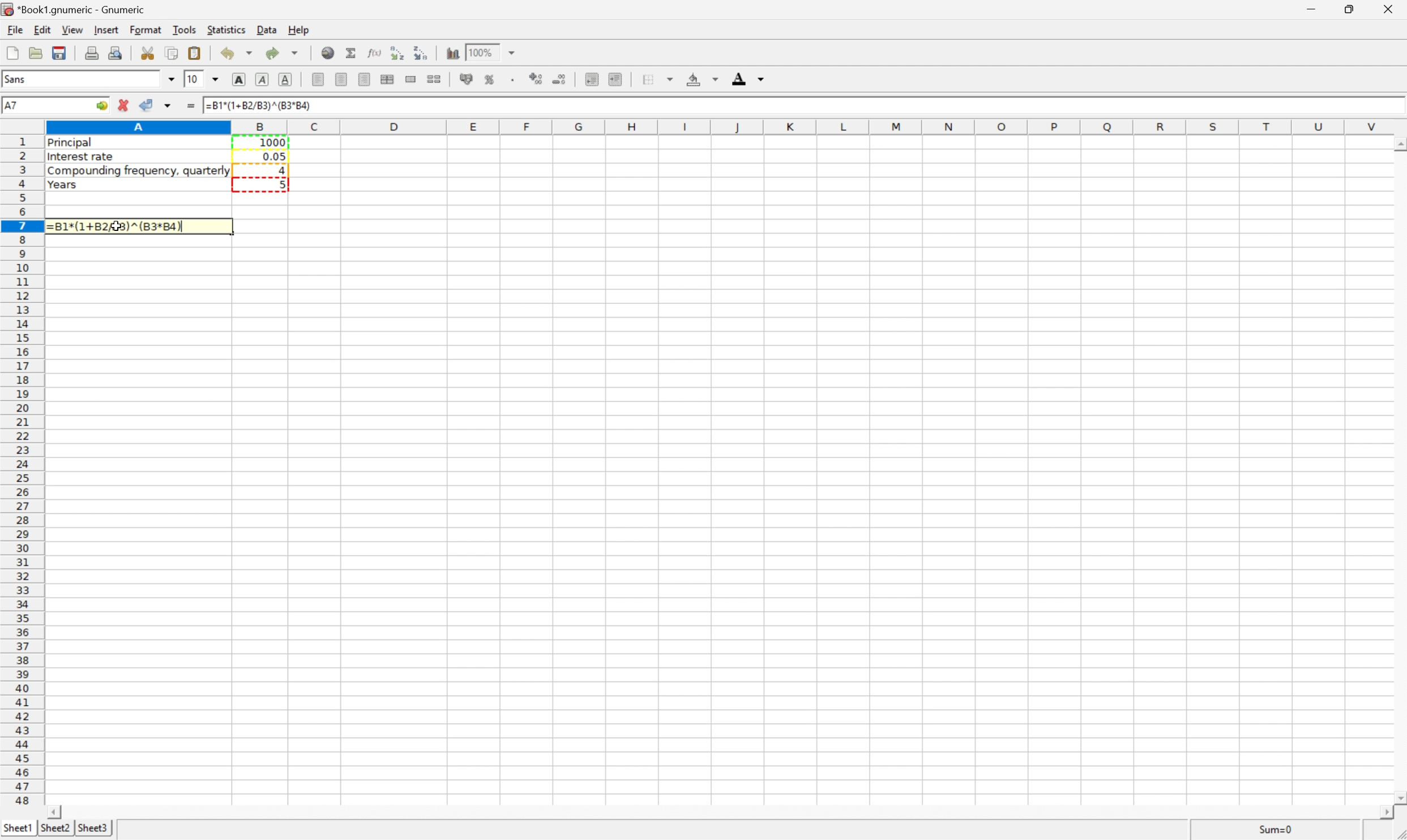 Image resolution: width=1407 pixels, height=840 pixels. I want to click on file, so click(13, 29).